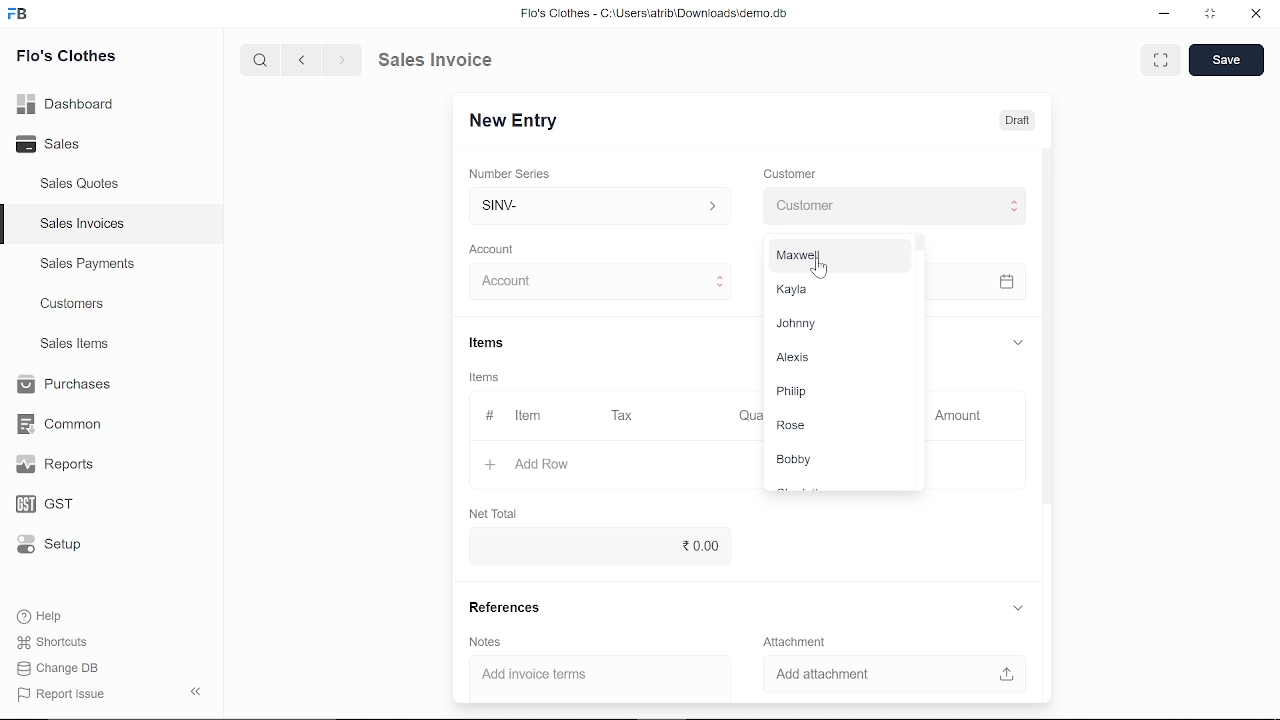 The width and height of the screenshot is (1280, 720). What do you see at coordinates (662, 15) in the screenshot?
I see `Flo's Clothes - C:\UsersatribiDownloads\demo.do` at bounding box center [662, 15].